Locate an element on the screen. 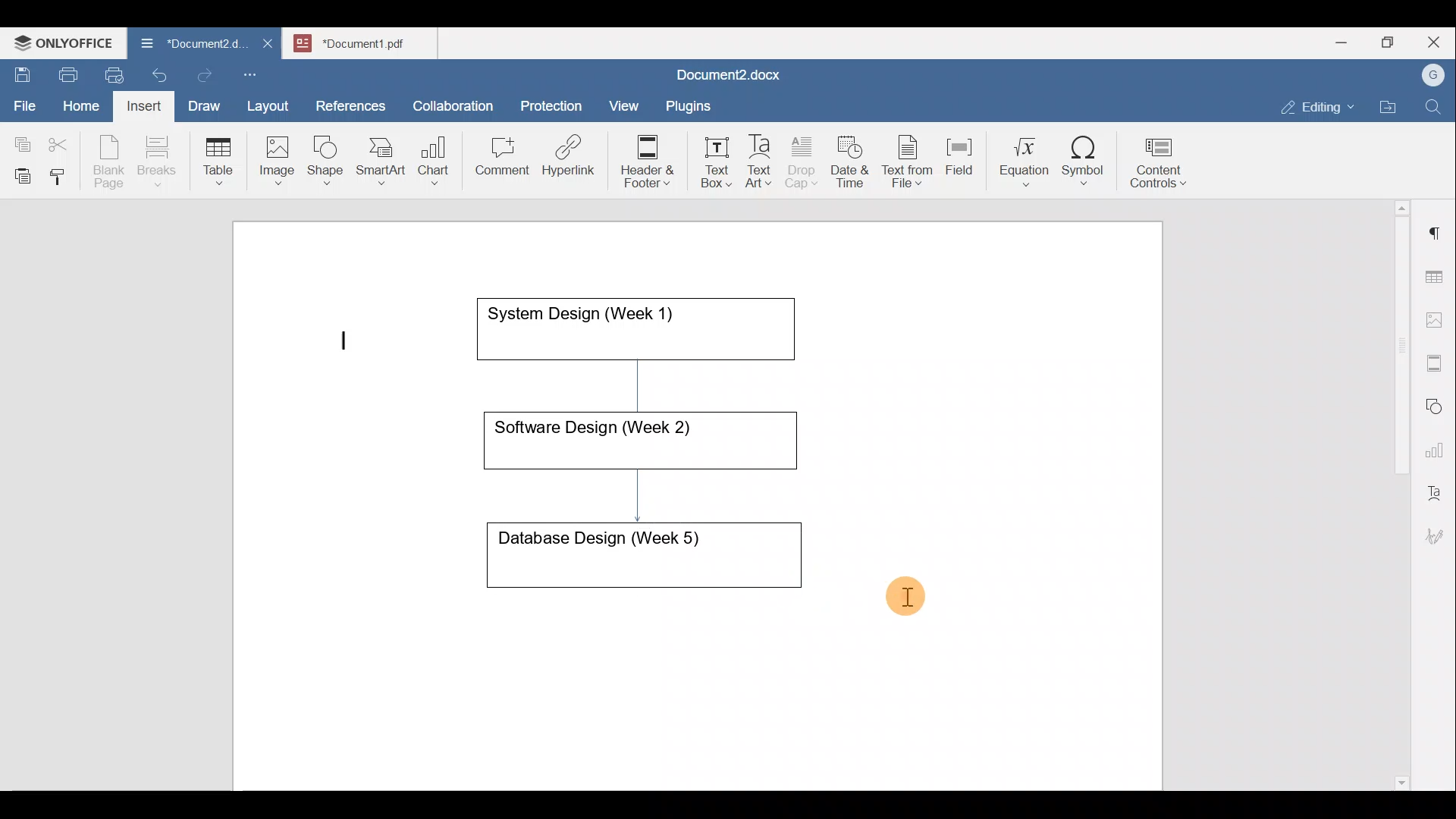  Text Art is located at coordinates (760, 162).